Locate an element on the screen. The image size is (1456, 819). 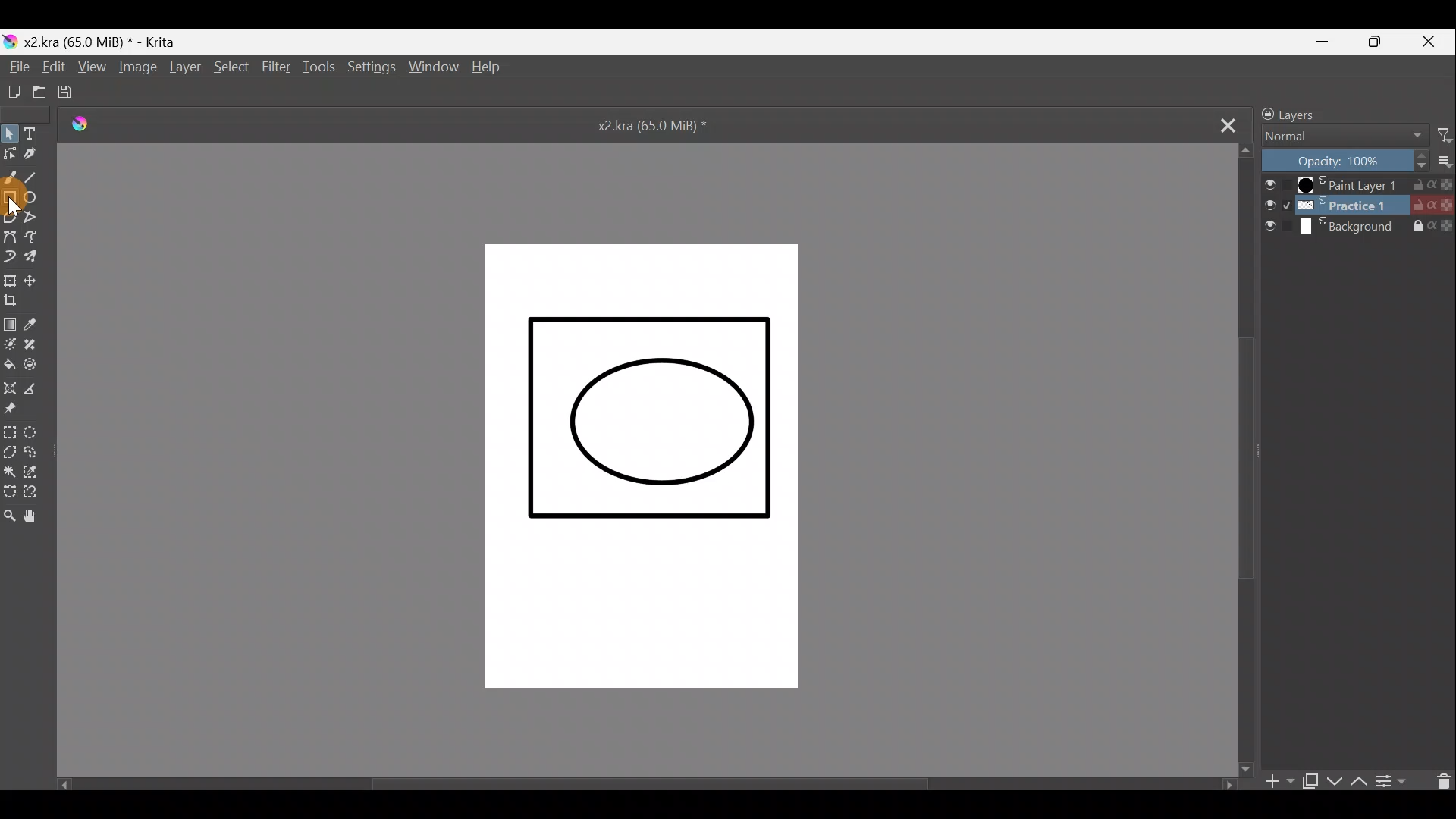
Edit is located at coordinates (49, 67).